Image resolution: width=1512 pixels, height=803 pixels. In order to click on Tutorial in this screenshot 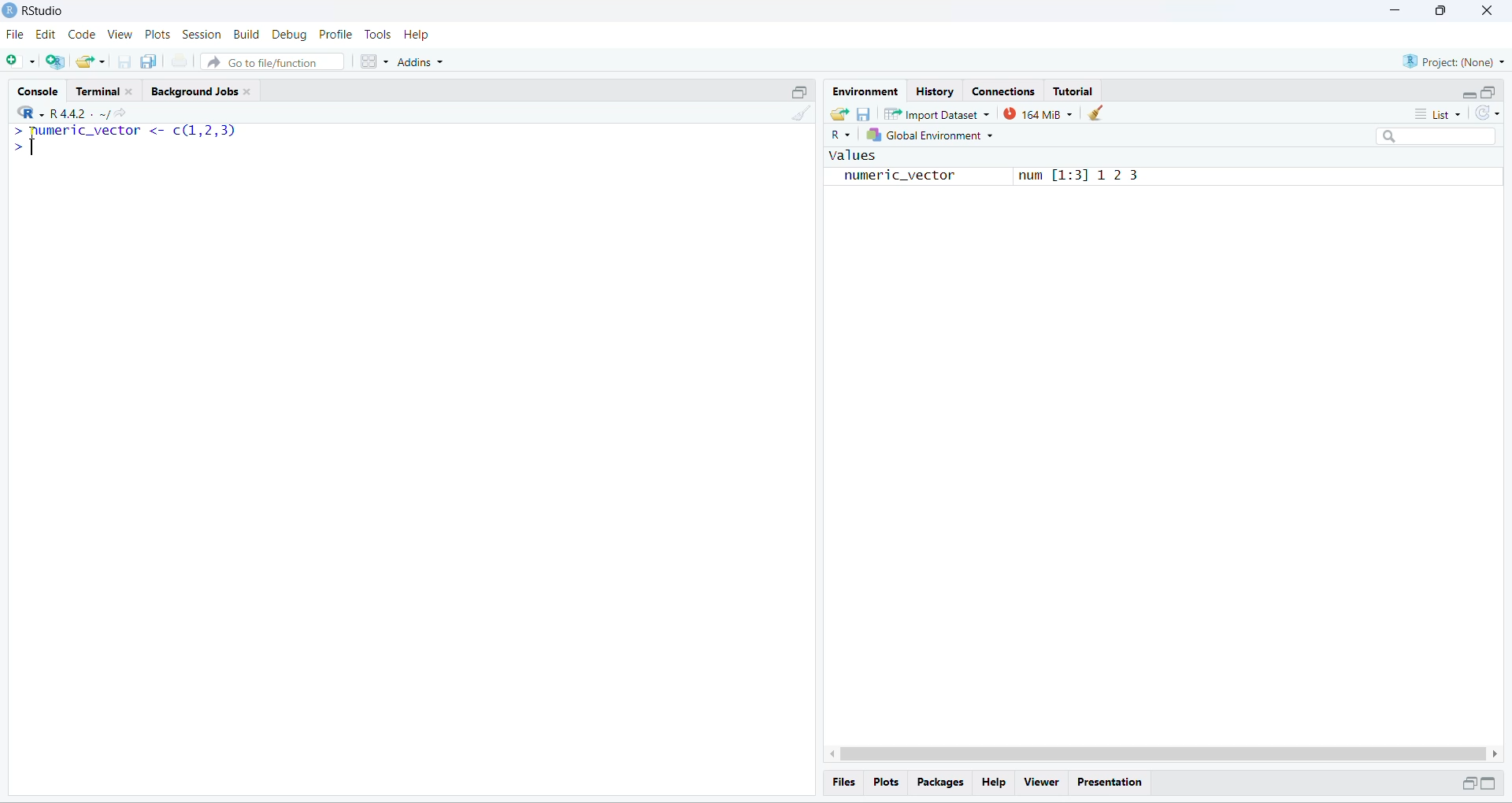, I will do `click(1073, 91)`.